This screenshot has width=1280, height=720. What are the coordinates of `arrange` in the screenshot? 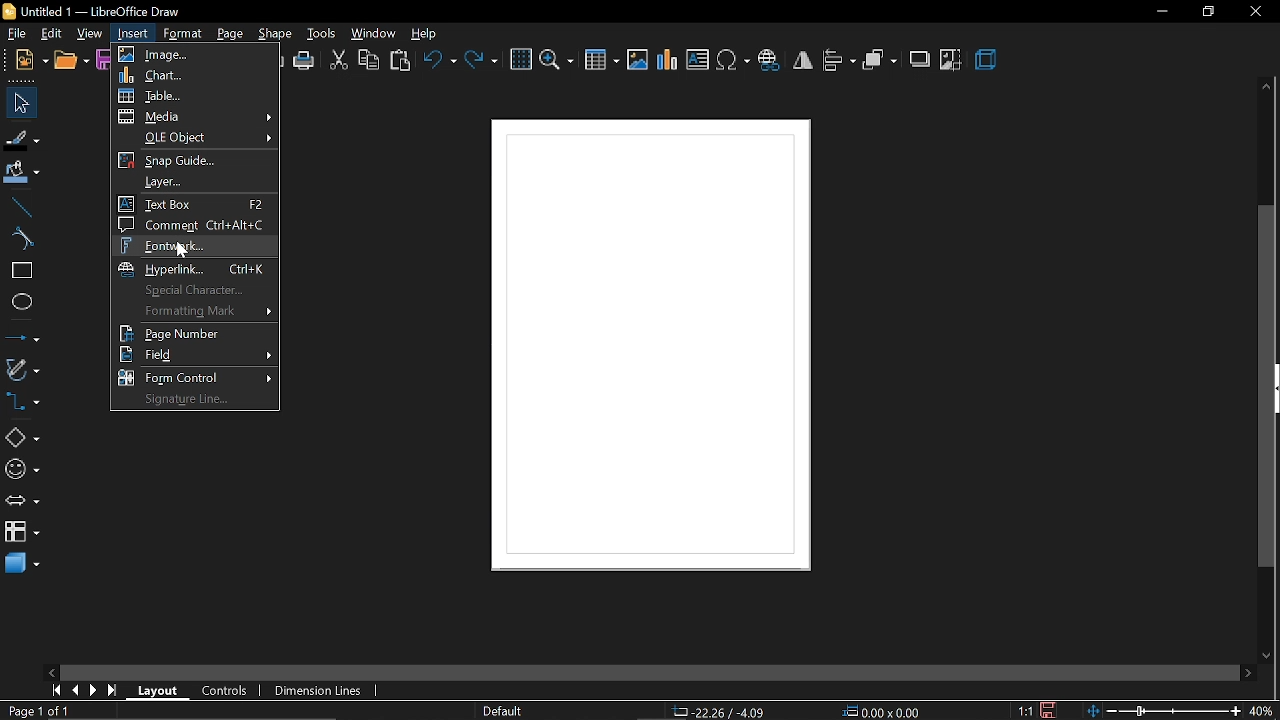 It's located at (880, 61).